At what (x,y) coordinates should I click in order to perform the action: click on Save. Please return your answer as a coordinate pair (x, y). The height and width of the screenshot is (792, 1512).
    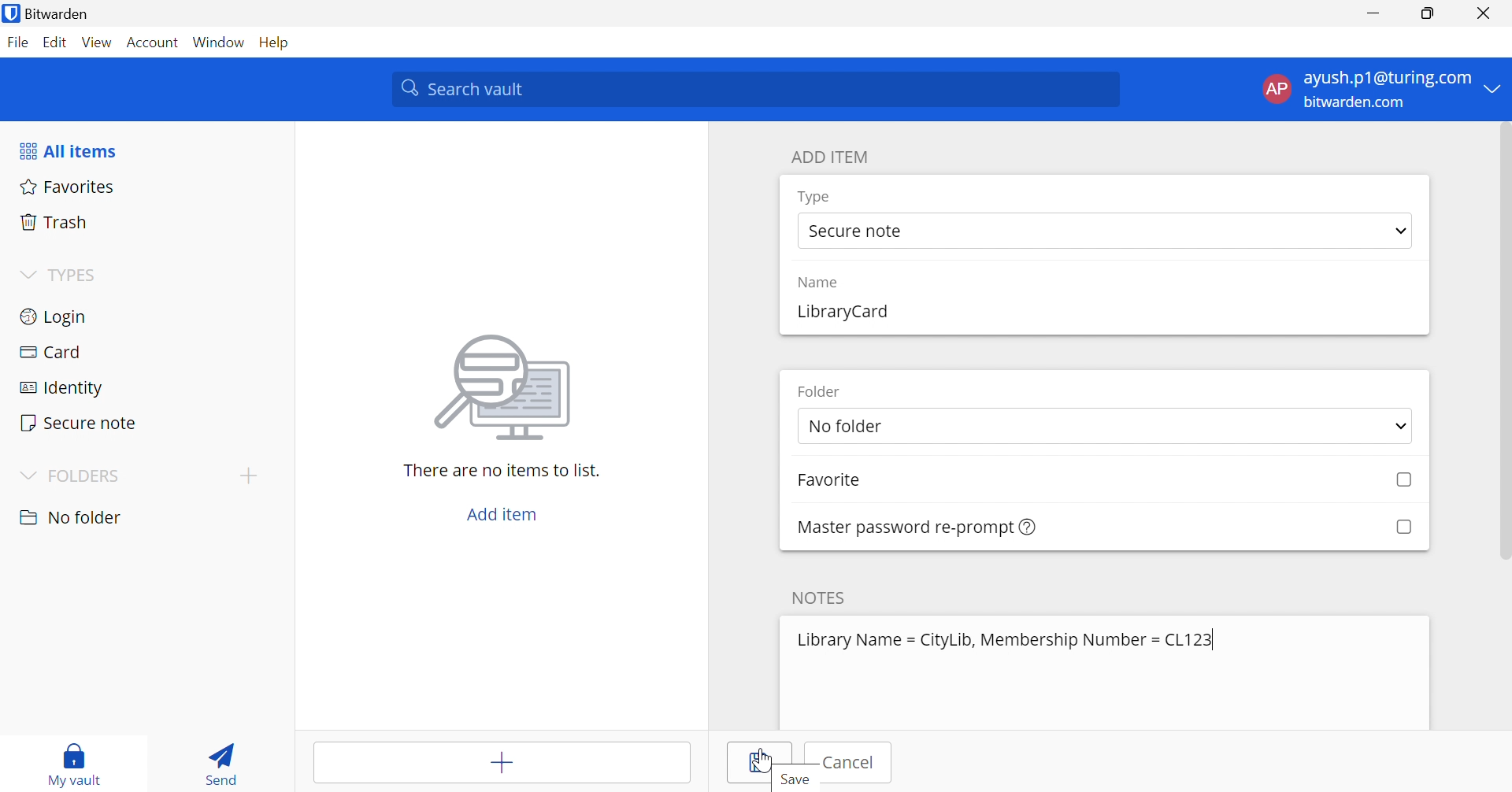
    Looking at the image, I should click on (804, 780).